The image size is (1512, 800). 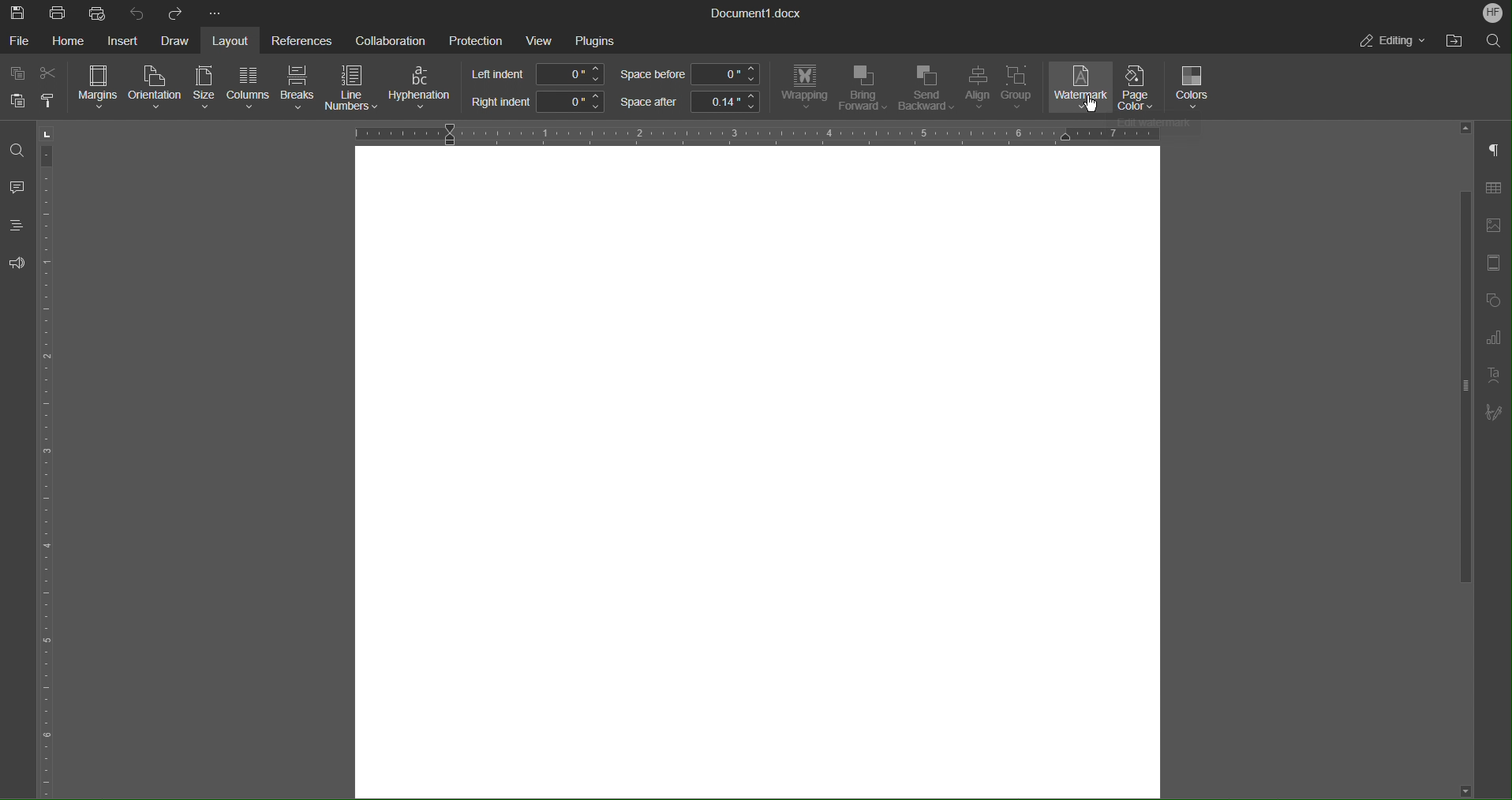 I want to click on Non-Printing Characters, so click(x=1495, y=151).